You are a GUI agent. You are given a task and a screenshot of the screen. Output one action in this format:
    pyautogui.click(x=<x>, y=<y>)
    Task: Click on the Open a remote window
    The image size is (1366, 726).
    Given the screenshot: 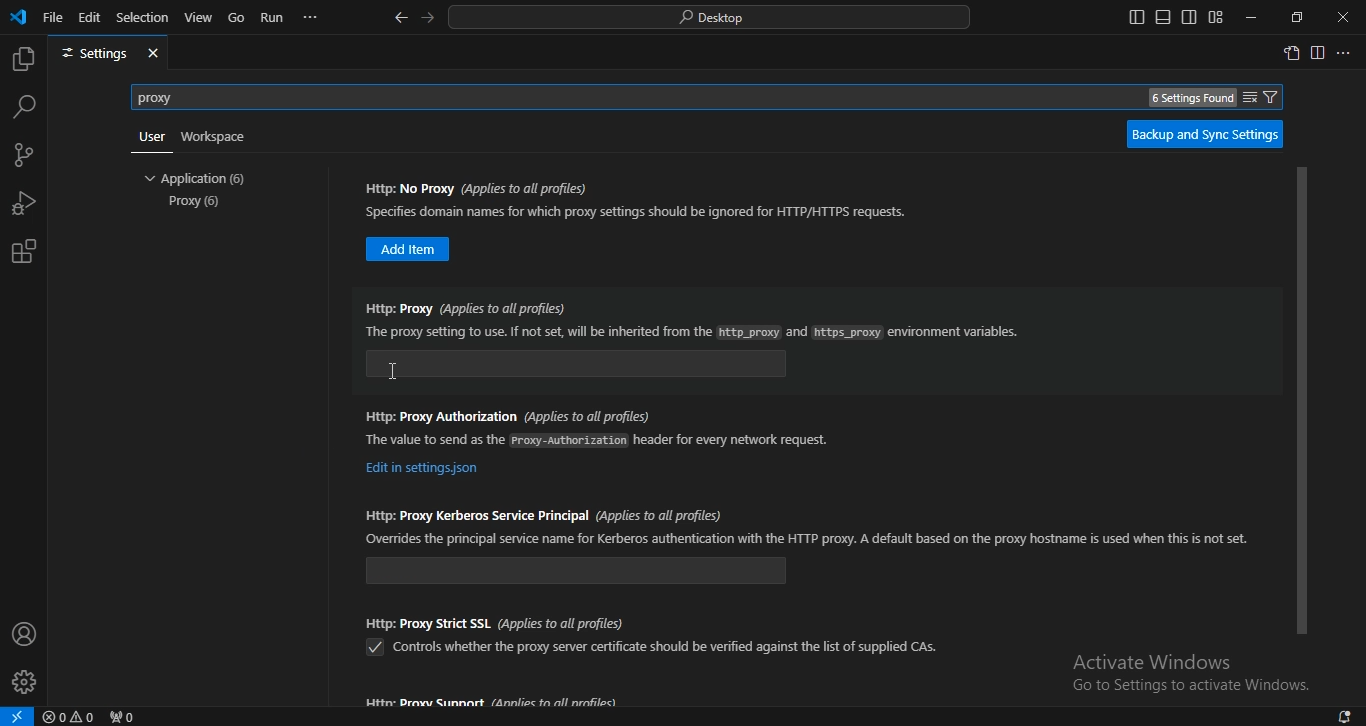 What is the action you would take?
    pyautogui.click(x=18, y=715)
    